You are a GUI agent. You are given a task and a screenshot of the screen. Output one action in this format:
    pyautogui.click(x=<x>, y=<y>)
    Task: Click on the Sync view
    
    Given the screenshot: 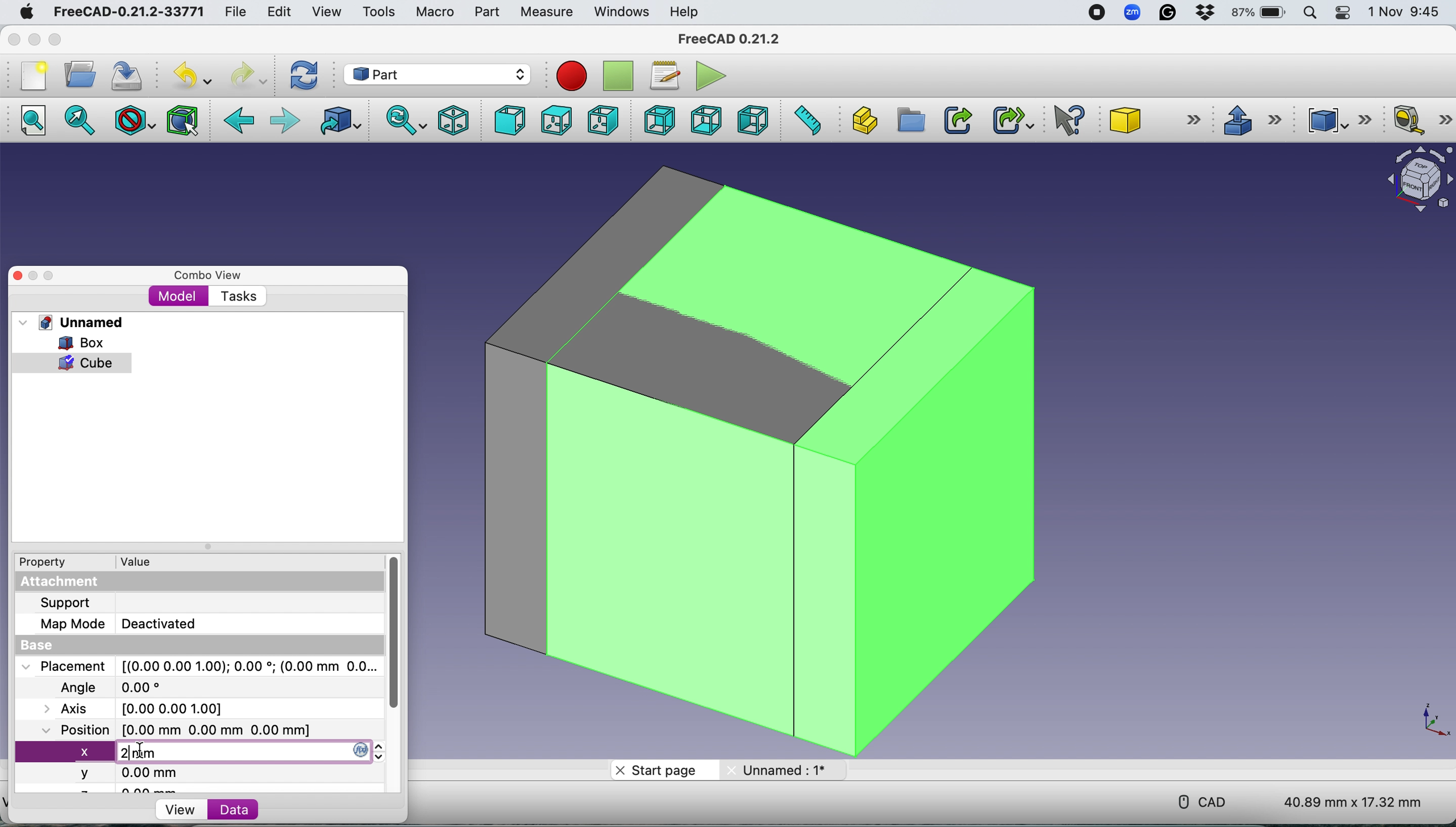 What is the action you would take?
    pyautogui.click(x=402, y=120)
    